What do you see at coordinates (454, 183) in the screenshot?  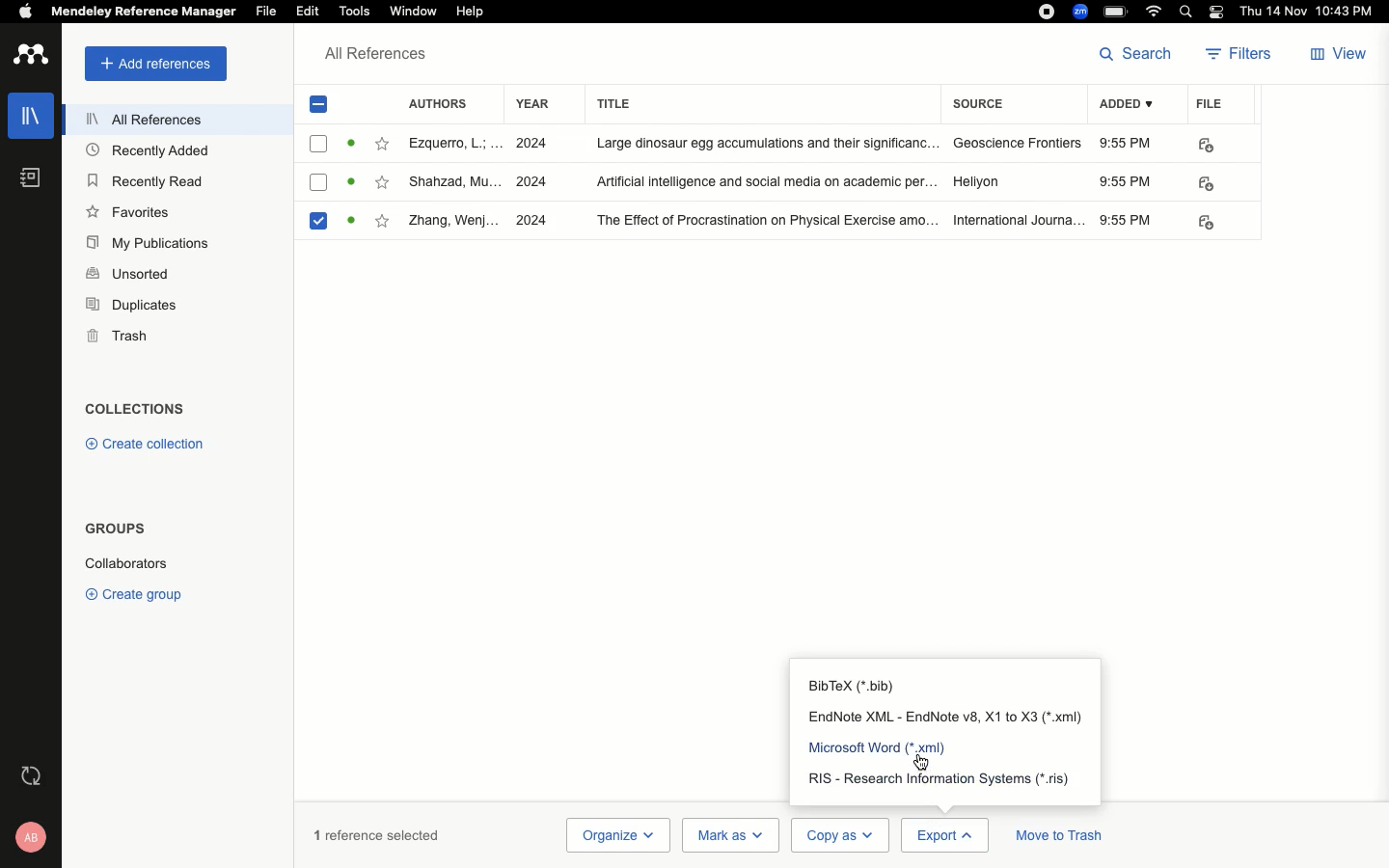 I see `Shahzad` at bounding box center [454, 183].